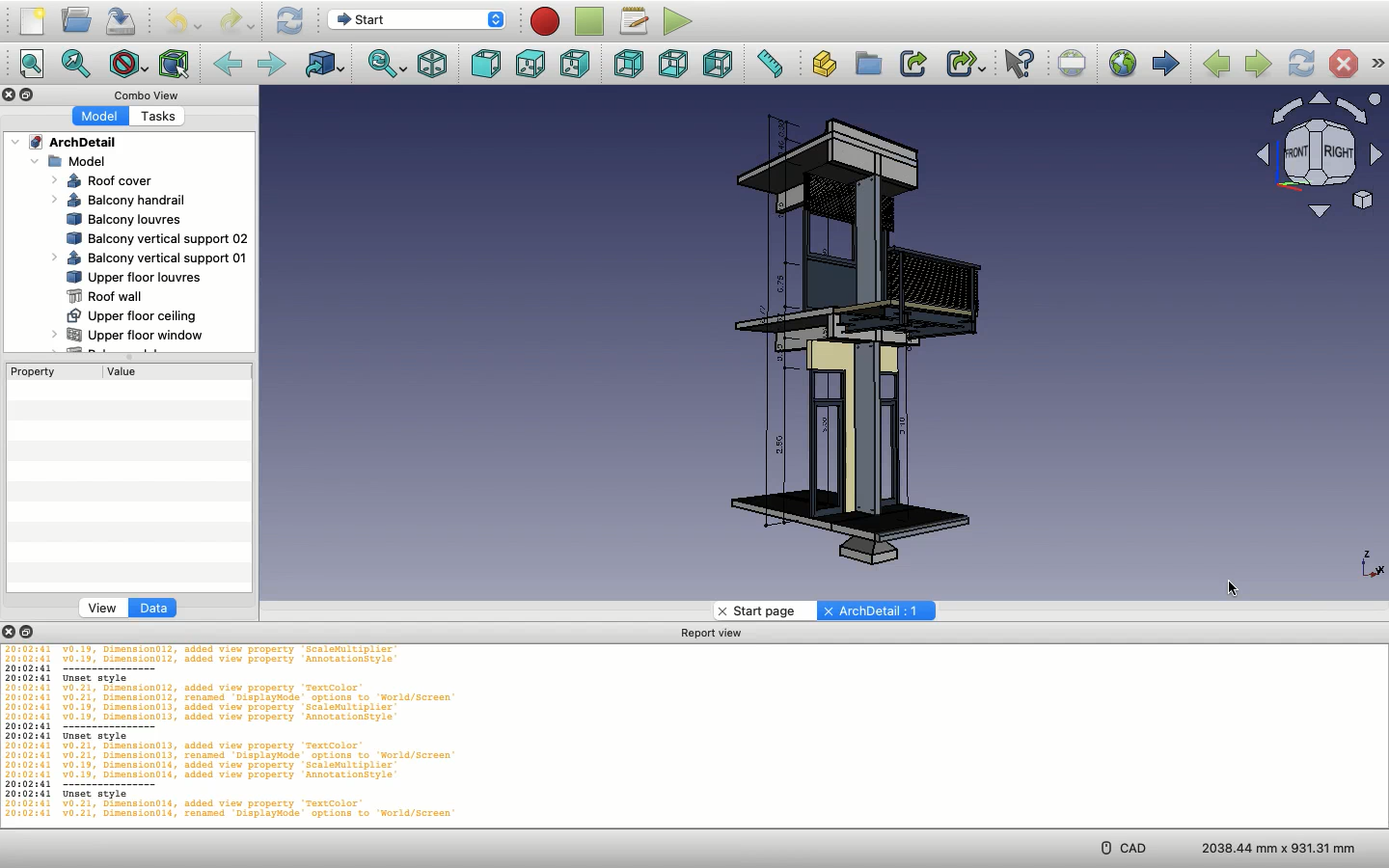 This screenshot has height=868, width=1389. Describe the element at coordinates (28, 632) in the screenshot. I see `Collapse` at that location.